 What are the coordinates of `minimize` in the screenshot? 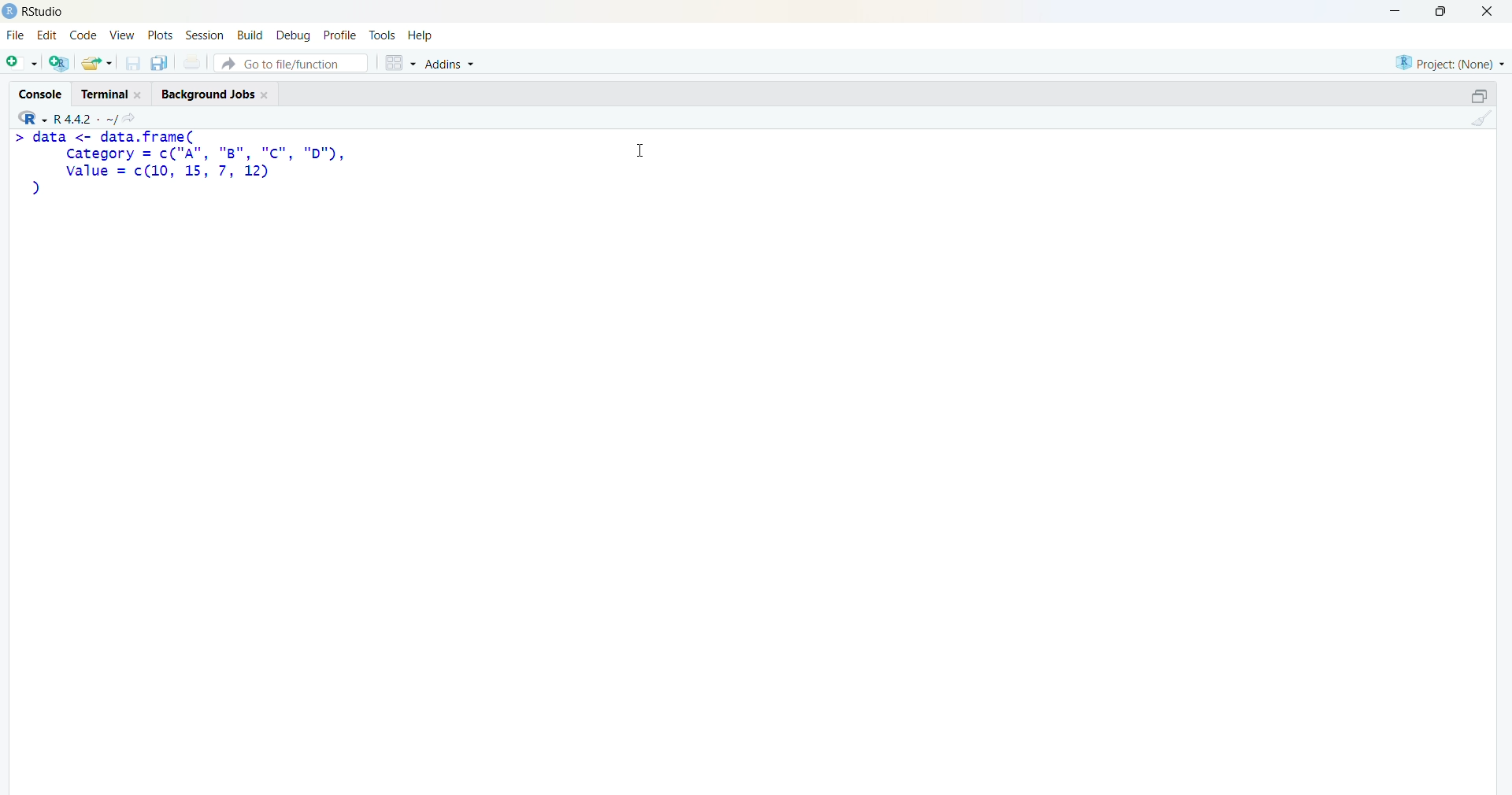 It's located at (1400, 11).